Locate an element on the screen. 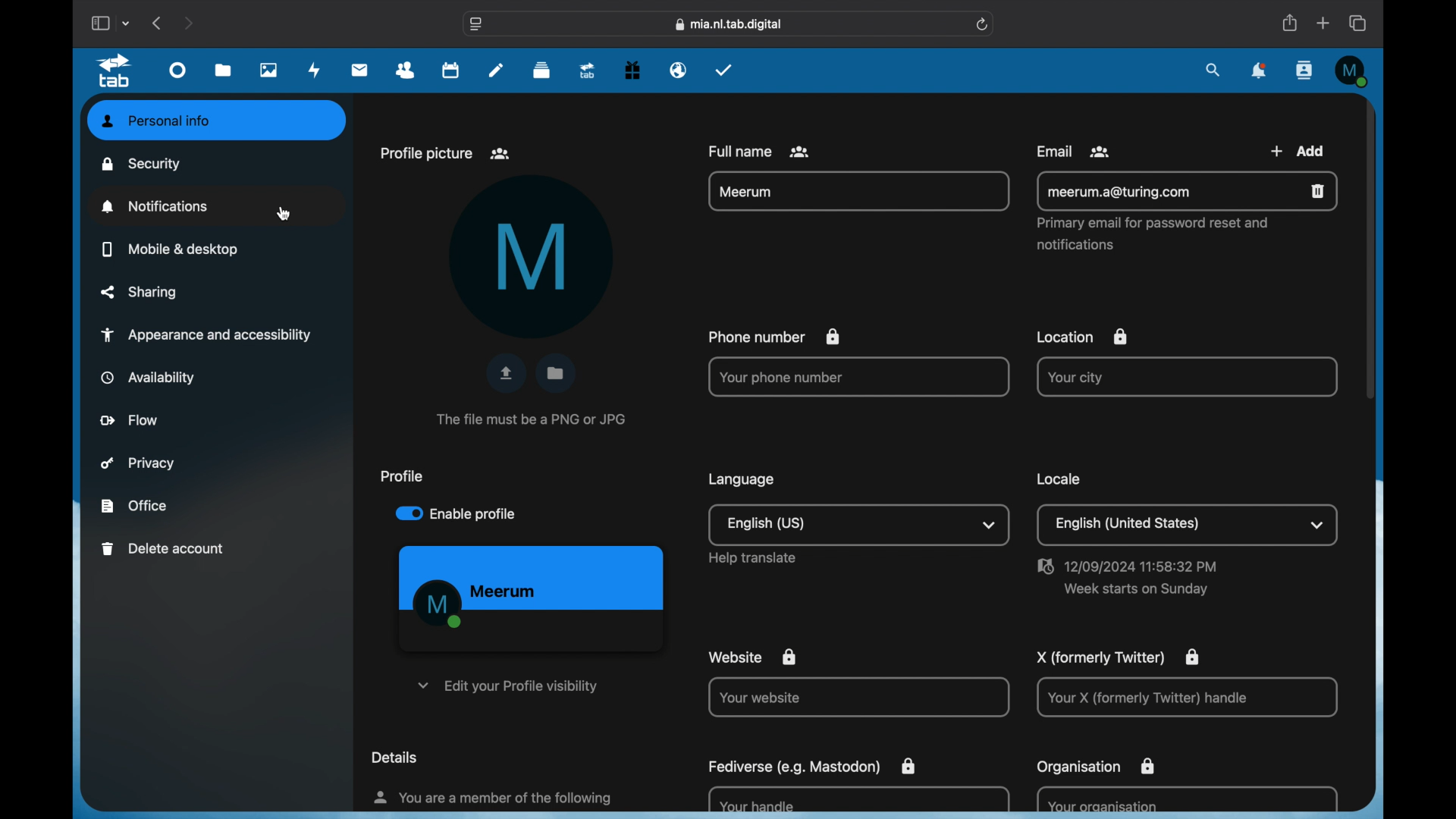 Image resolution: width=1456 pixels, height=819 pixels. email is located at coordinates (1073, 151).